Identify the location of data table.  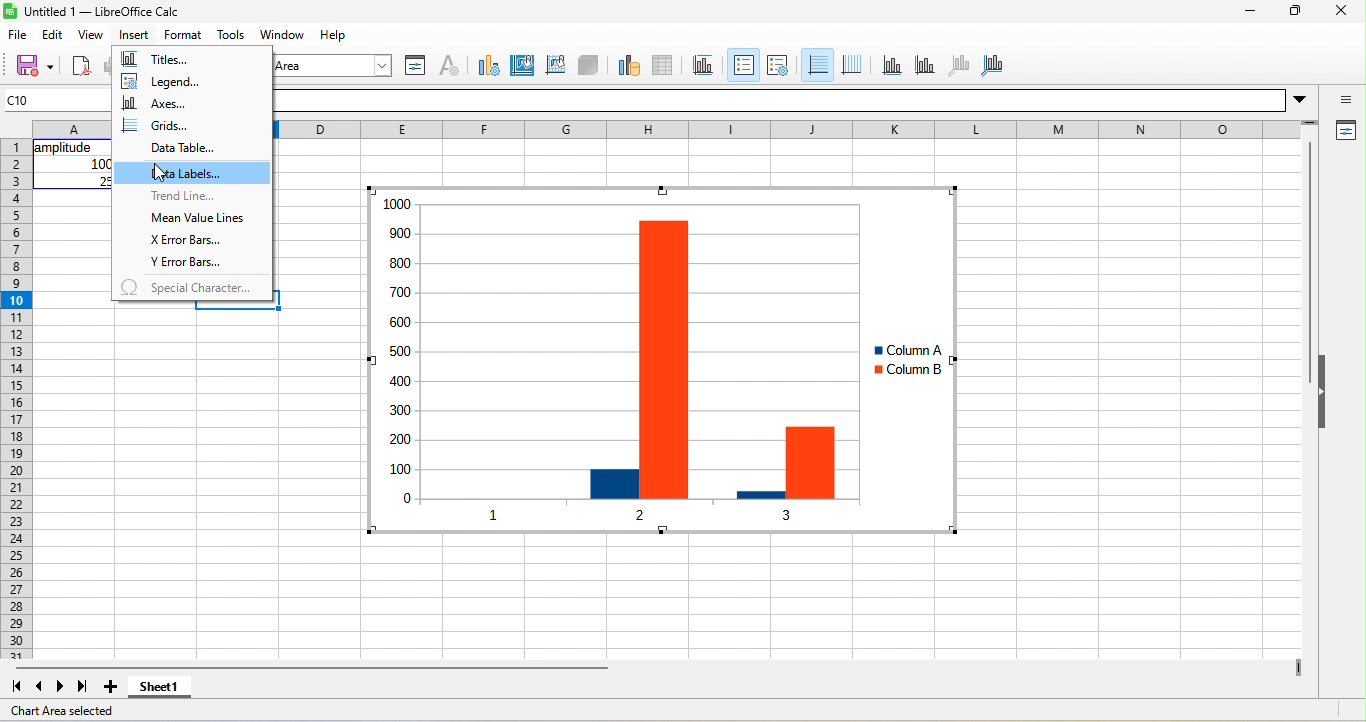
(670, 63).